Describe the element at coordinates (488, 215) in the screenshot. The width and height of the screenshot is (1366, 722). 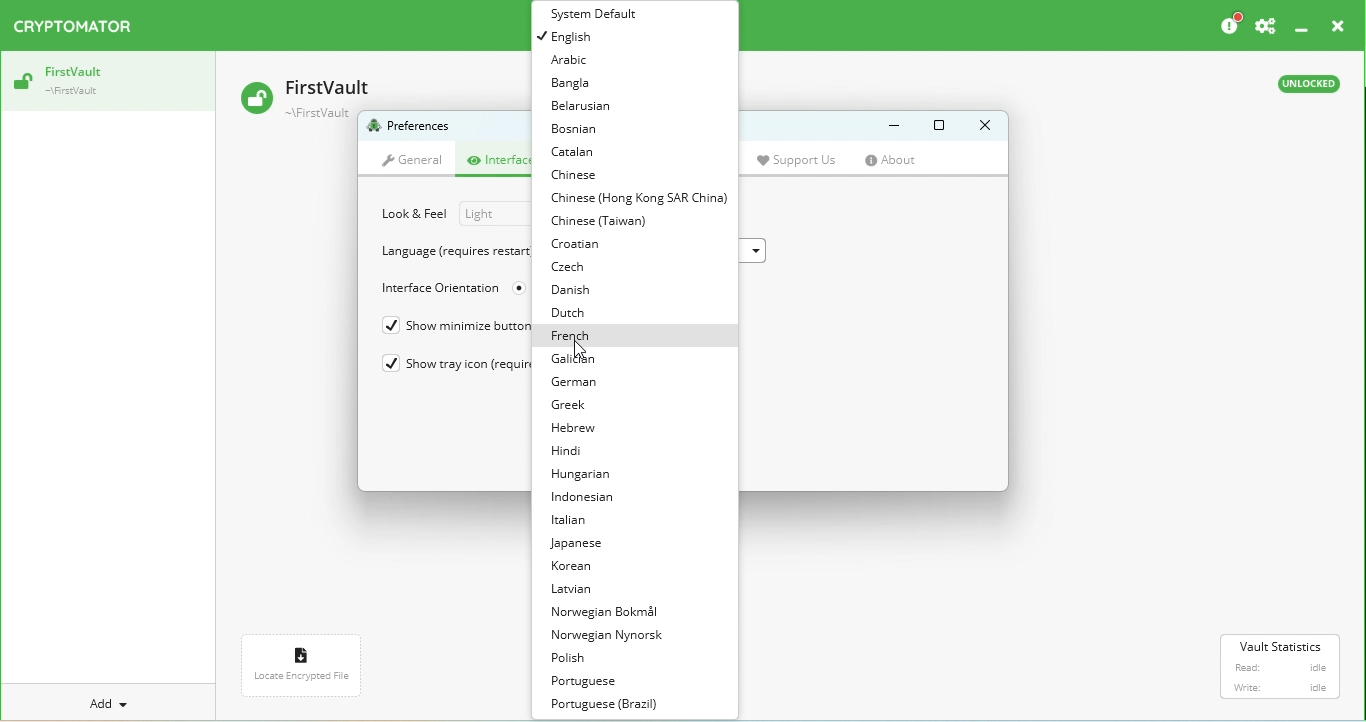
I see `Drop down menu` at that location.